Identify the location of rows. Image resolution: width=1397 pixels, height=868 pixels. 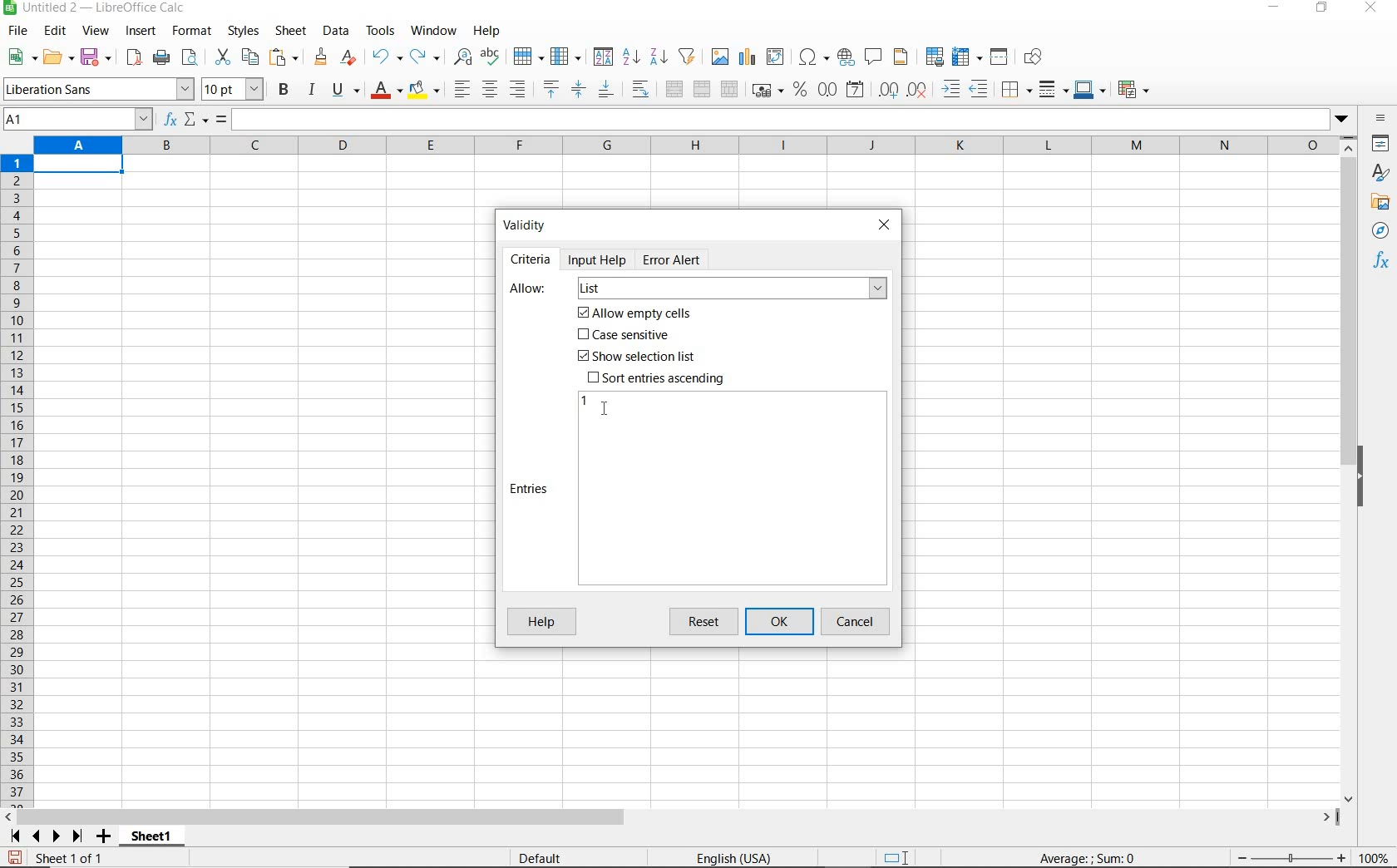
(17, 481).